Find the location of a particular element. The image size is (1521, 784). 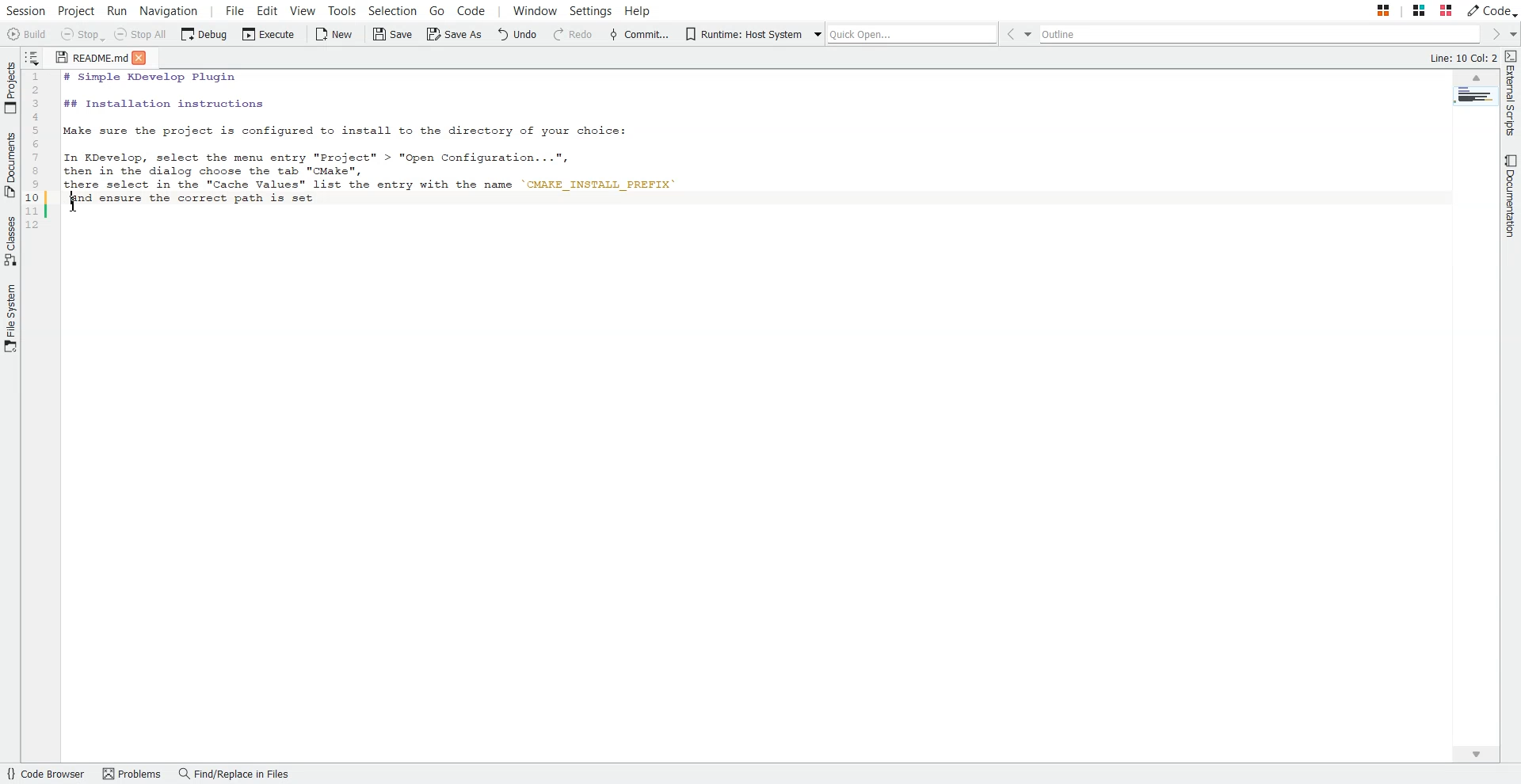

Outline is located at coordinates (1264, 34).